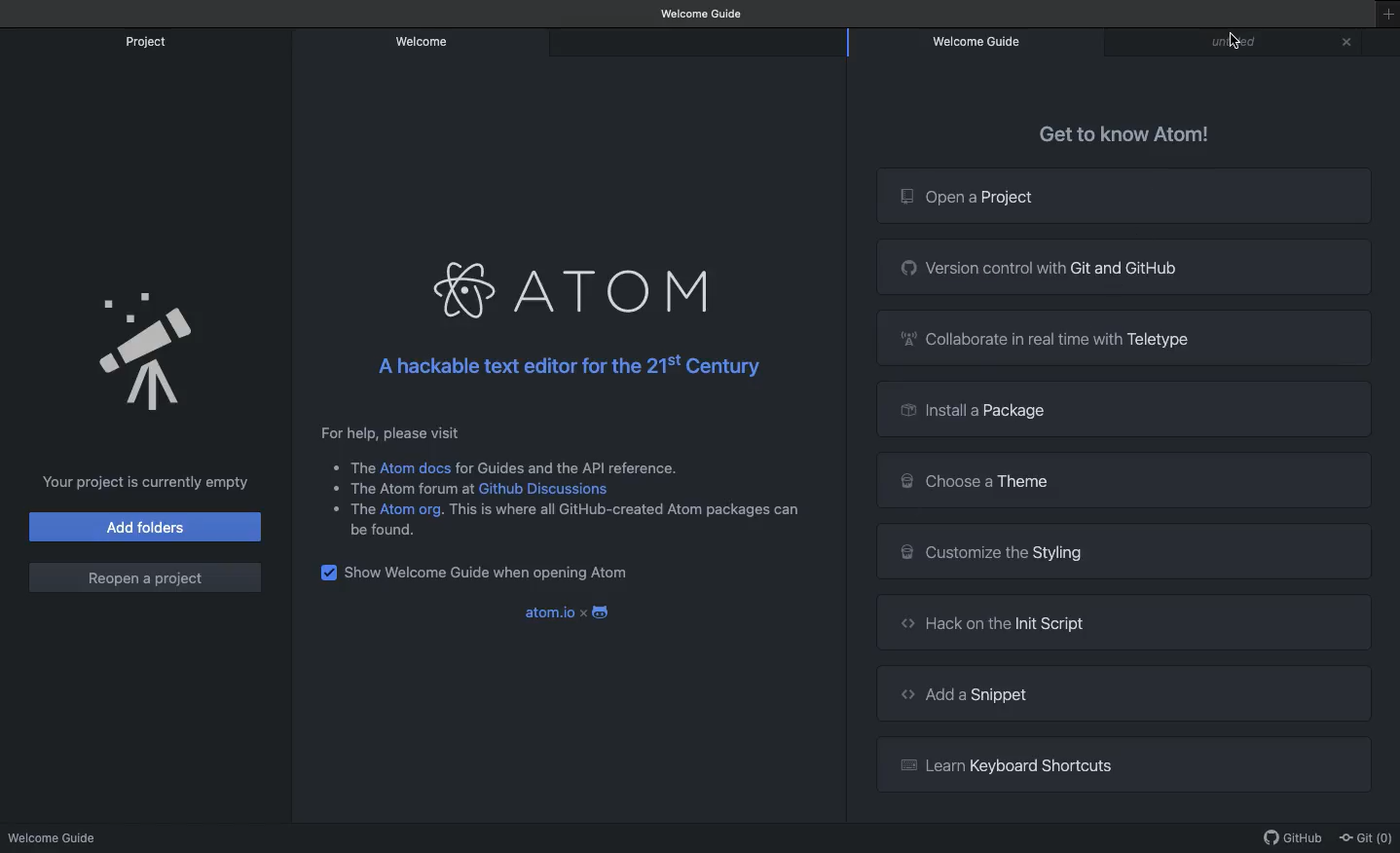 The image size is (1400, 853). What do you see at coordinates (414, 510) in the screenshot?
I see `Atom.org` at bounding box center [414, 510].